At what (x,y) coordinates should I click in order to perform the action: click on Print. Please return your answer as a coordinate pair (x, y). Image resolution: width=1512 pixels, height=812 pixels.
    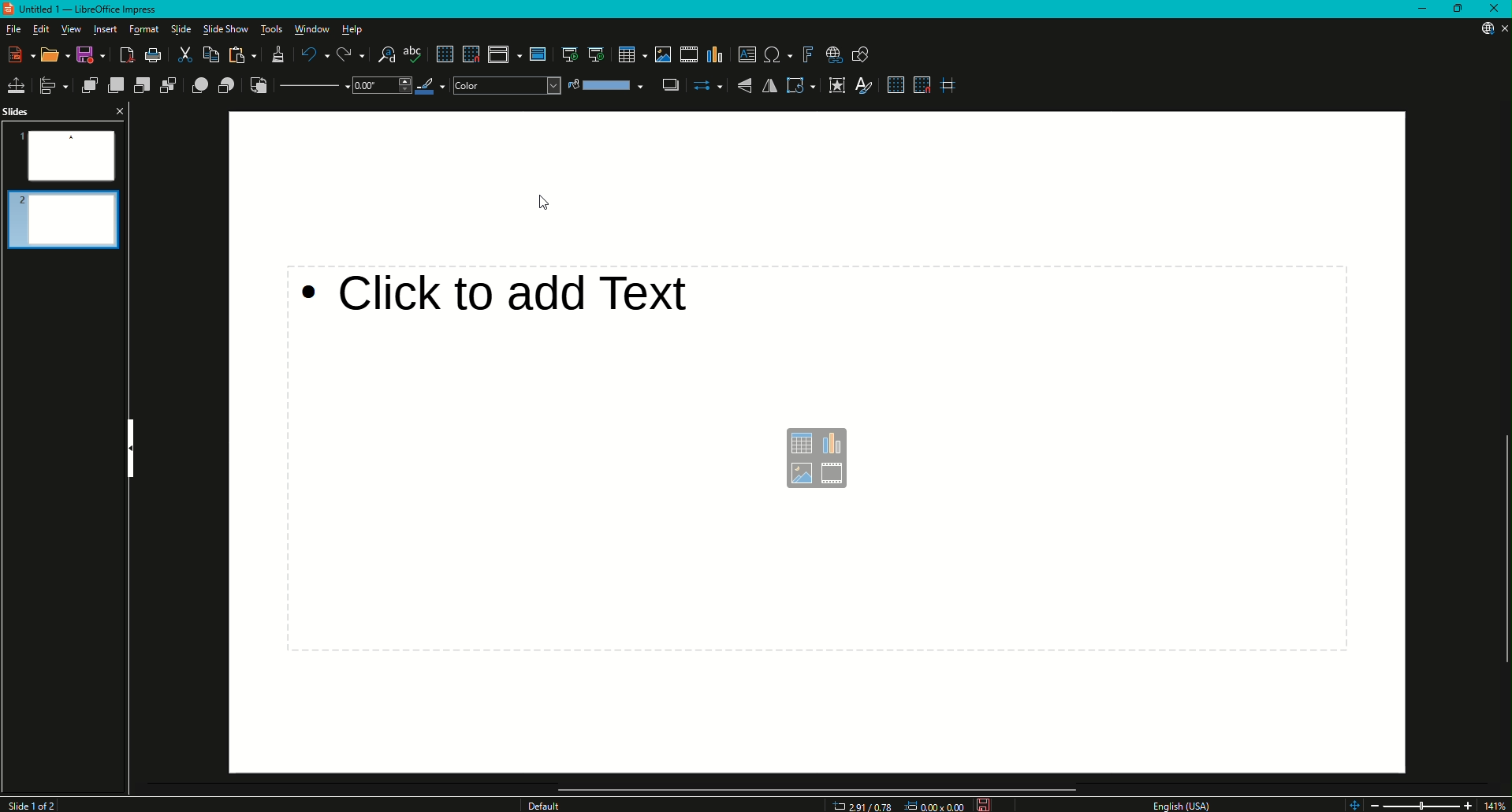
    Looking at the image, I should click on (153, 54).